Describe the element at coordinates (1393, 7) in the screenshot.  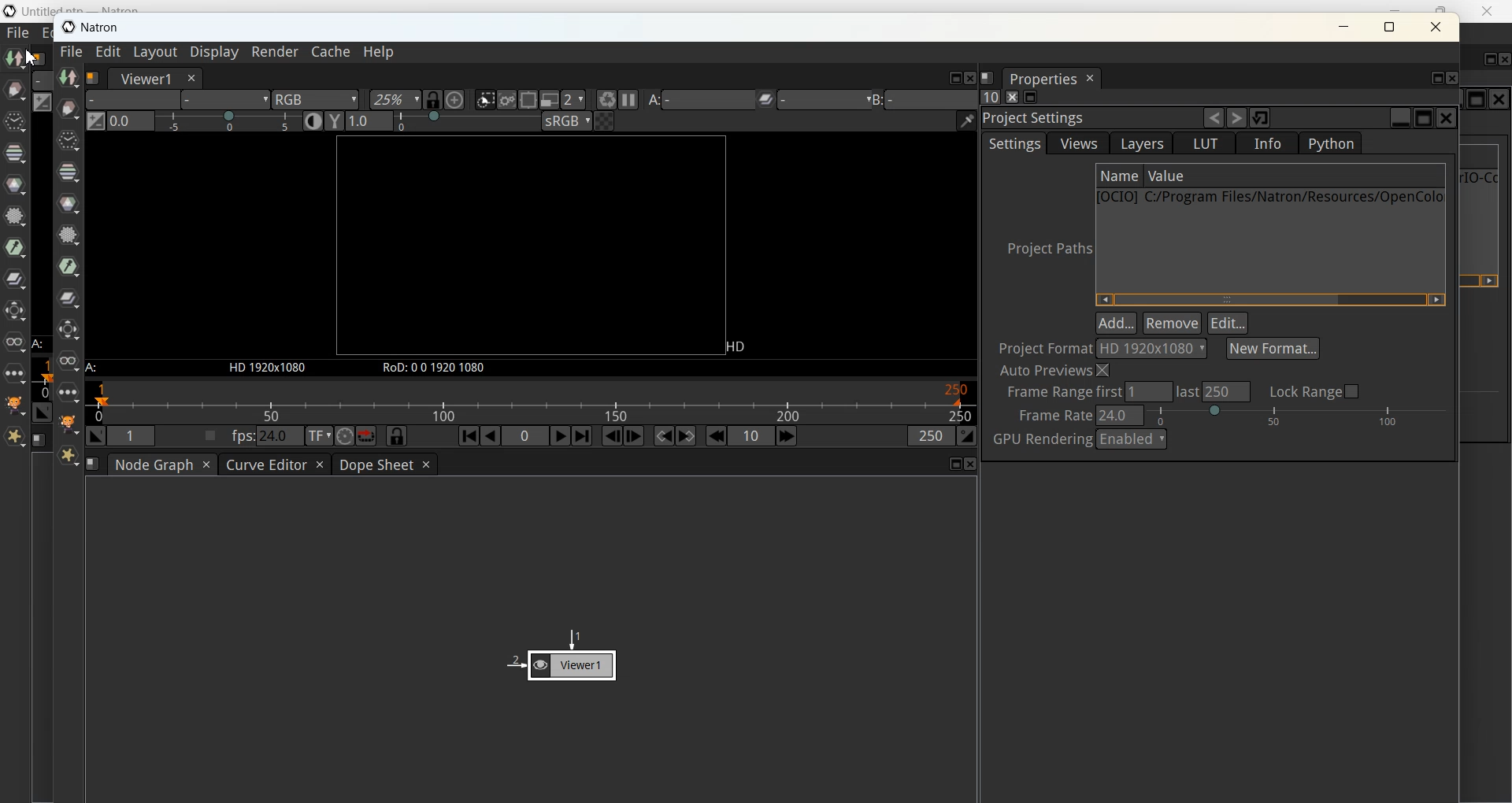
I see `Minimize` at that location.